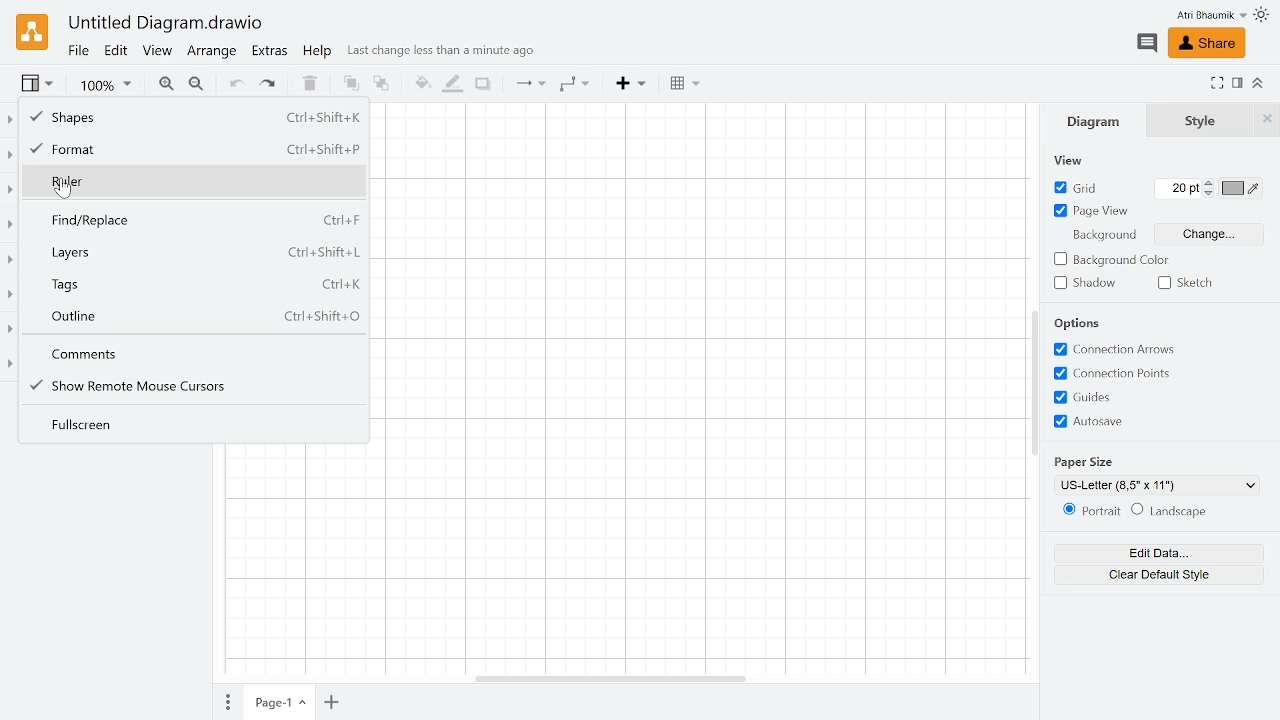 The width and height of the screenshot is (1280, 720). Describe the element at coordinates (682, 83) in the screenshot. I see `Table` at that location.